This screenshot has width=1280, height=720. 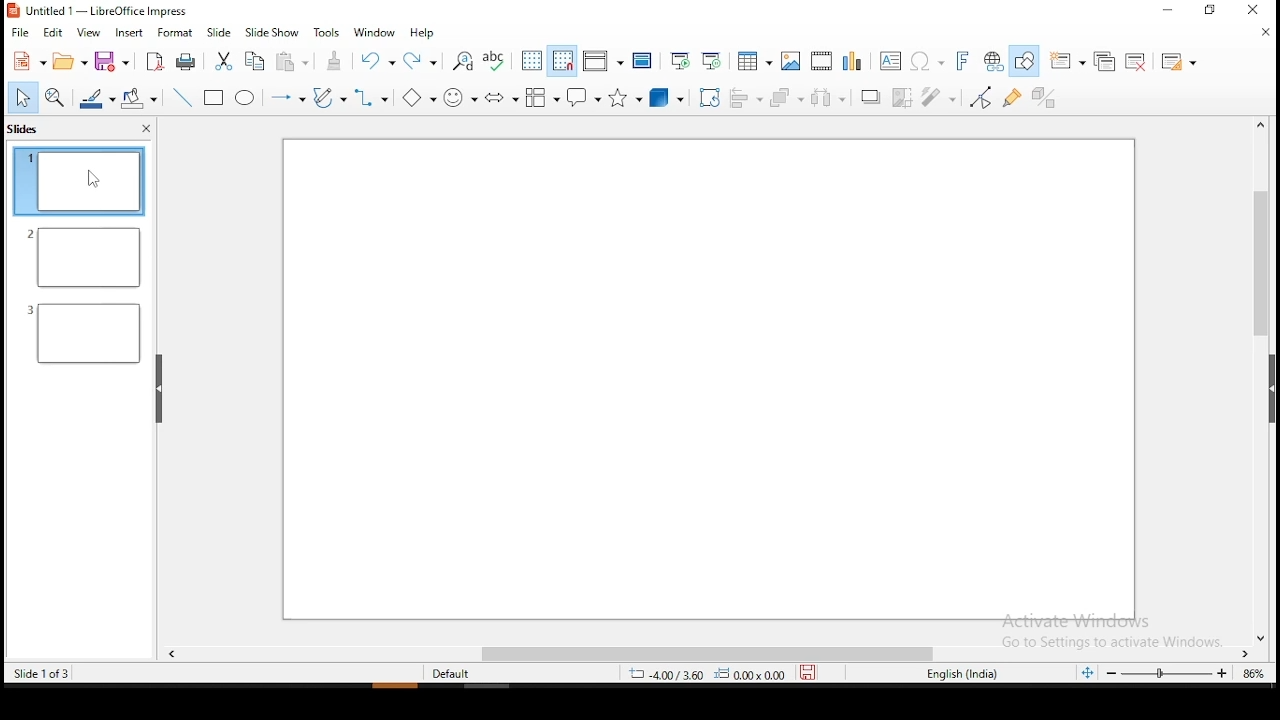 I want to click on rotate, so click(x=709, y=98).